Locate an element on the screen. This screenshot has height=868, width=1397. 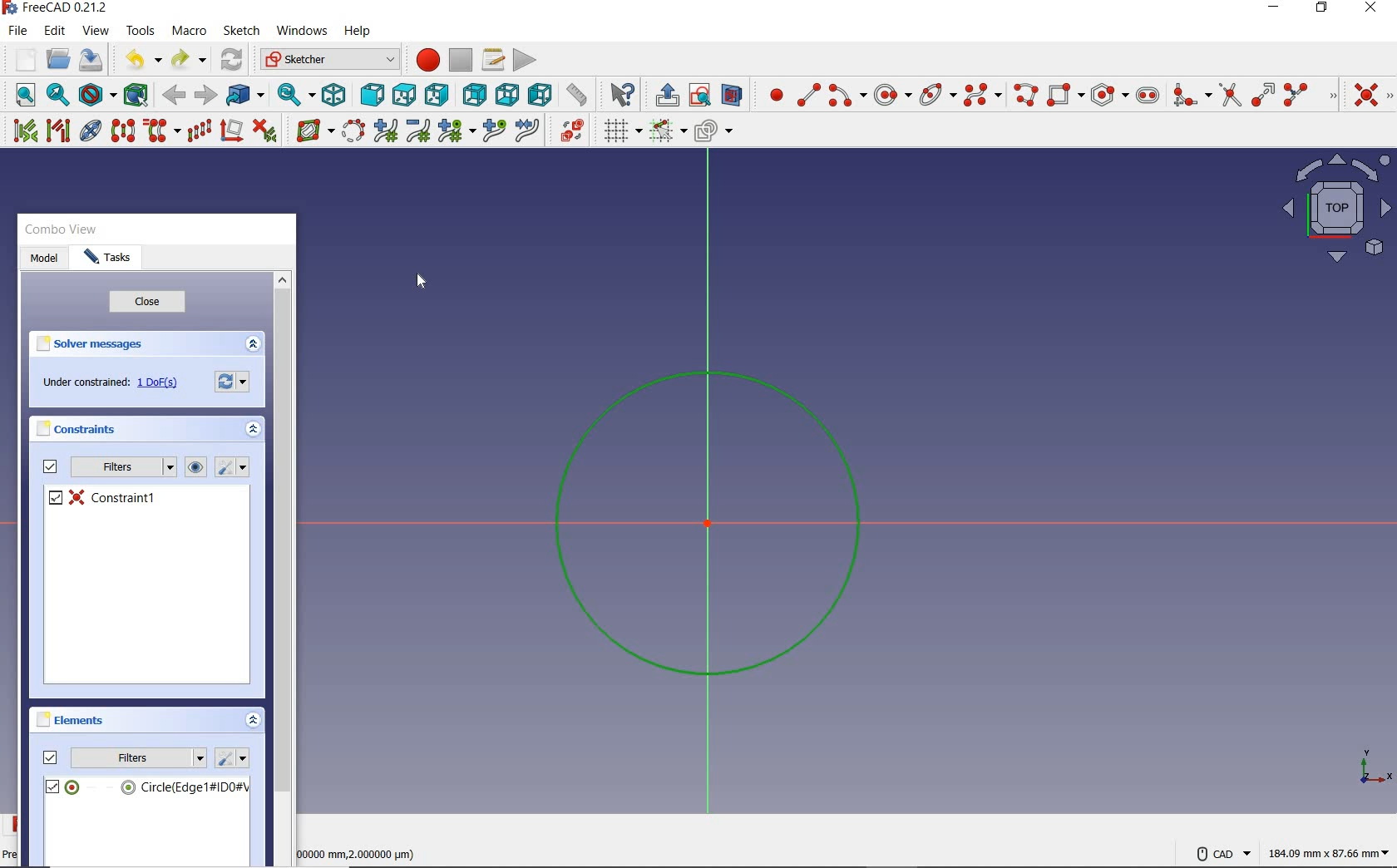
maps is located at coordinates (1329, 209).